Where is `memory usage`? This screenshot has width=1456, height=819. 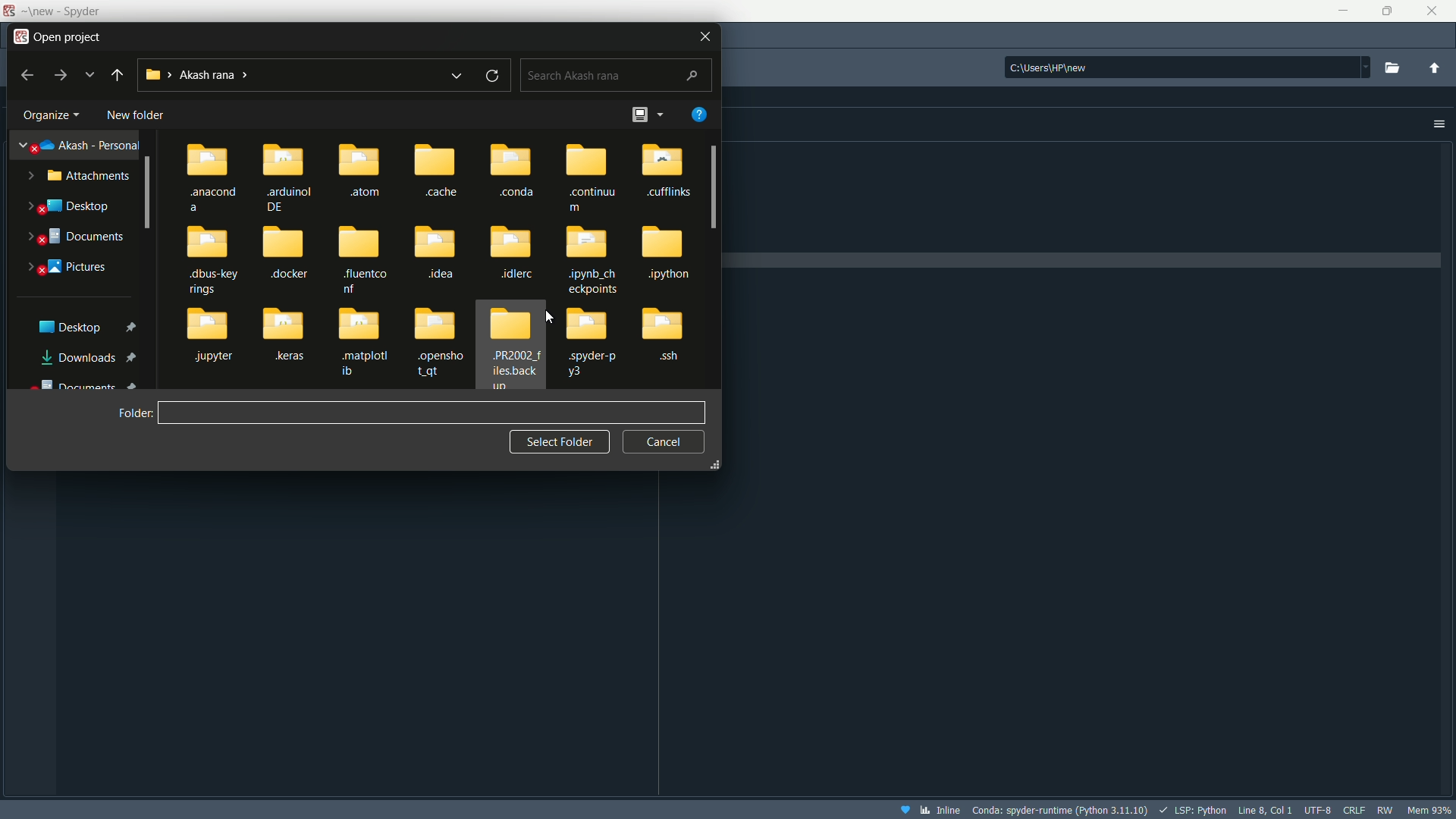
memory usage is located at coordinates (1431, 810).